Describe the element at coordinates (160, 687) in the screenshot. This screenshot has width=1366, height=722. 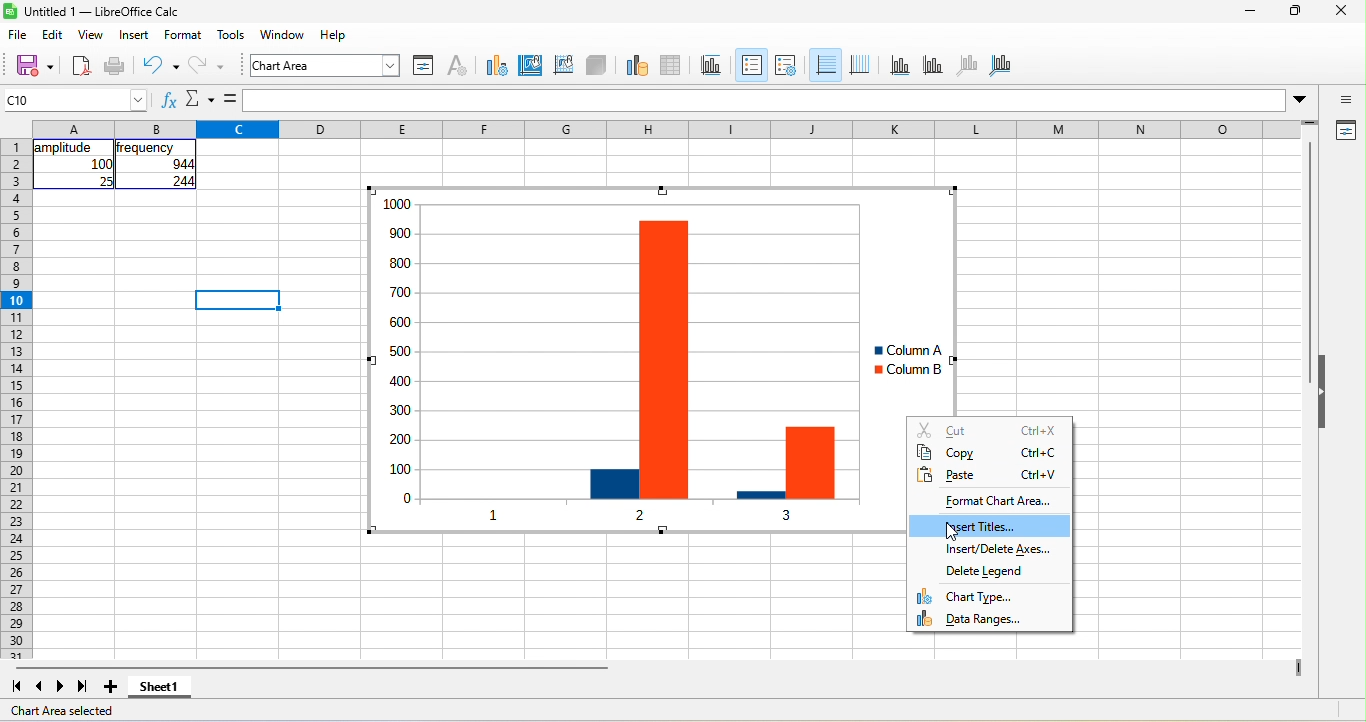
I see `sheet 1` at that location.